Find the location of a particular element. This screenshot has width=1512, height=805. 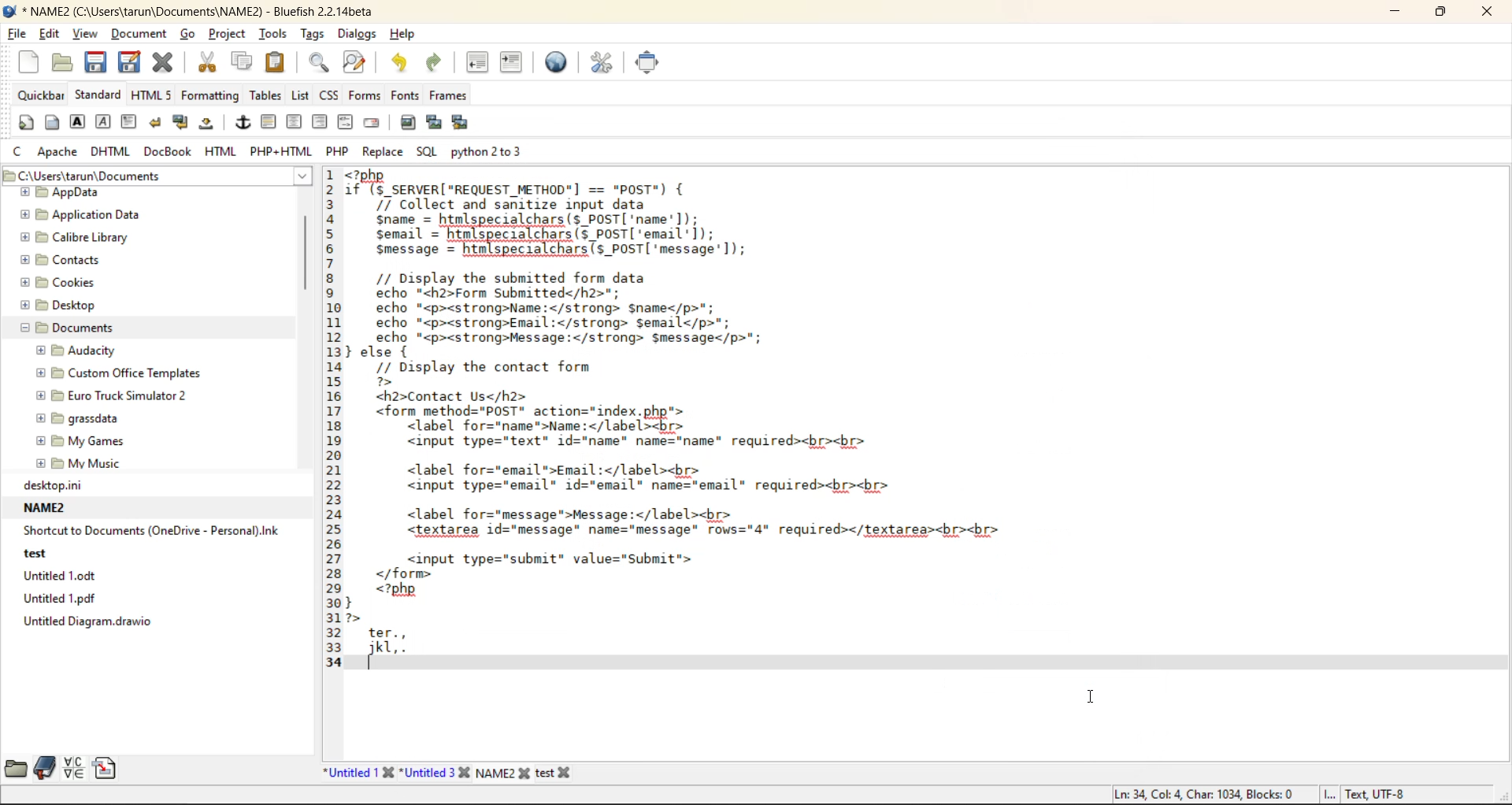

preview in browser is located at coordinates (560, 61).